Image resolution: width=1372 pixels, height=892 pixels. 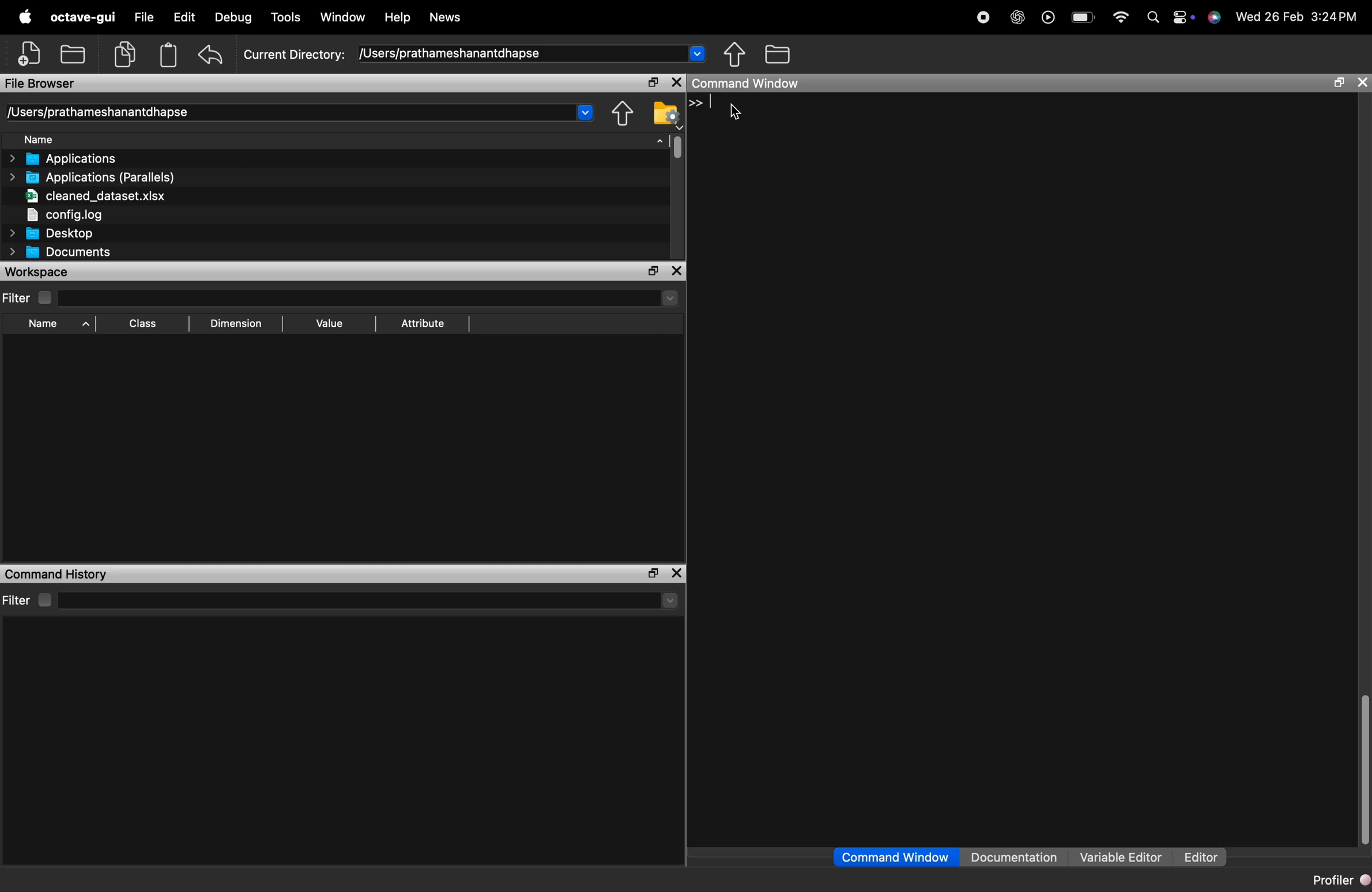 What do you see at coordinates (650, 573) in the screenshot?
I see `Maximize` at bounding box center [650, 573].